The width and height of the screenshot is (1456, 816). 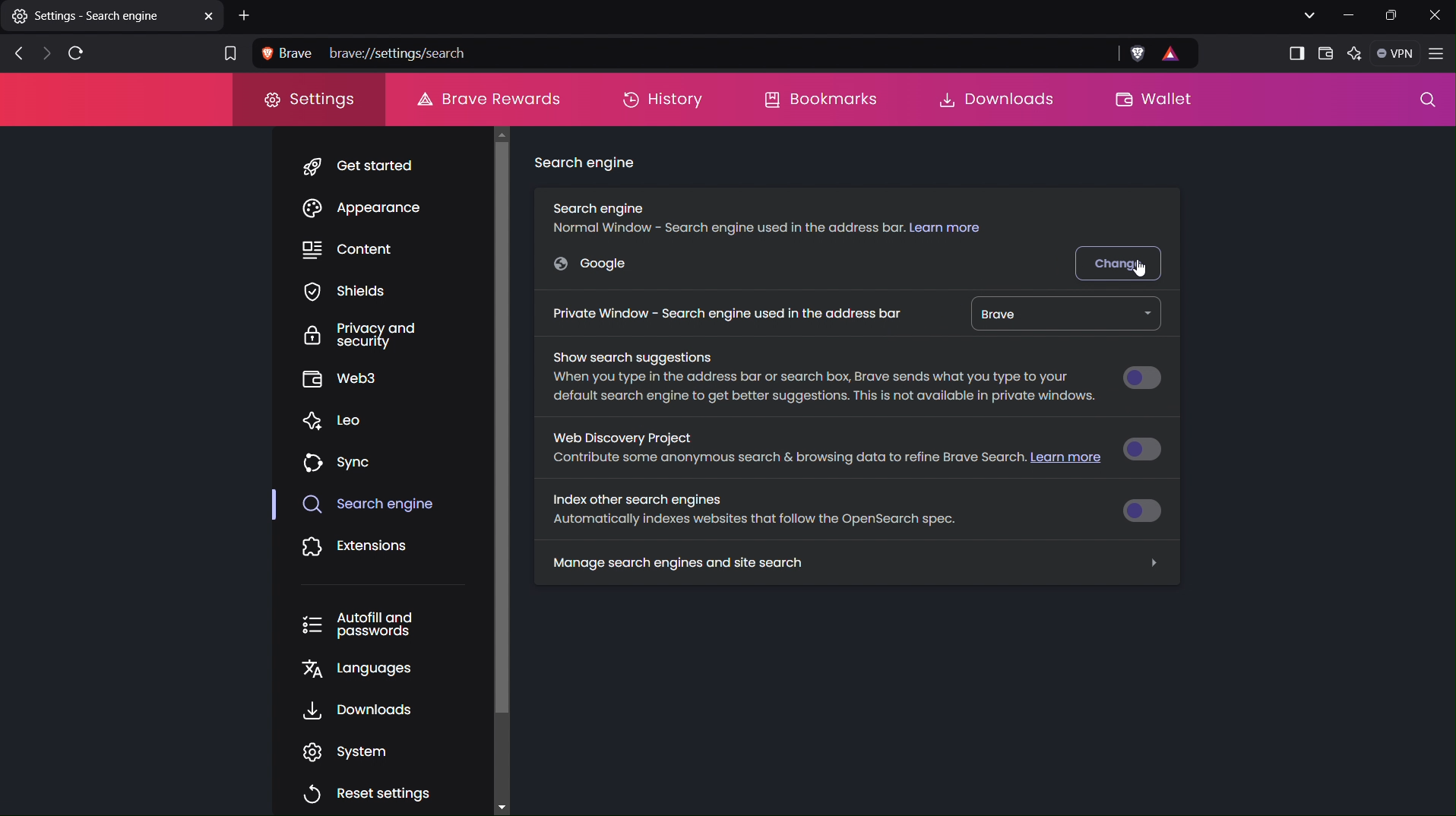 I want to click on Languages, so click(x=353, y=669).